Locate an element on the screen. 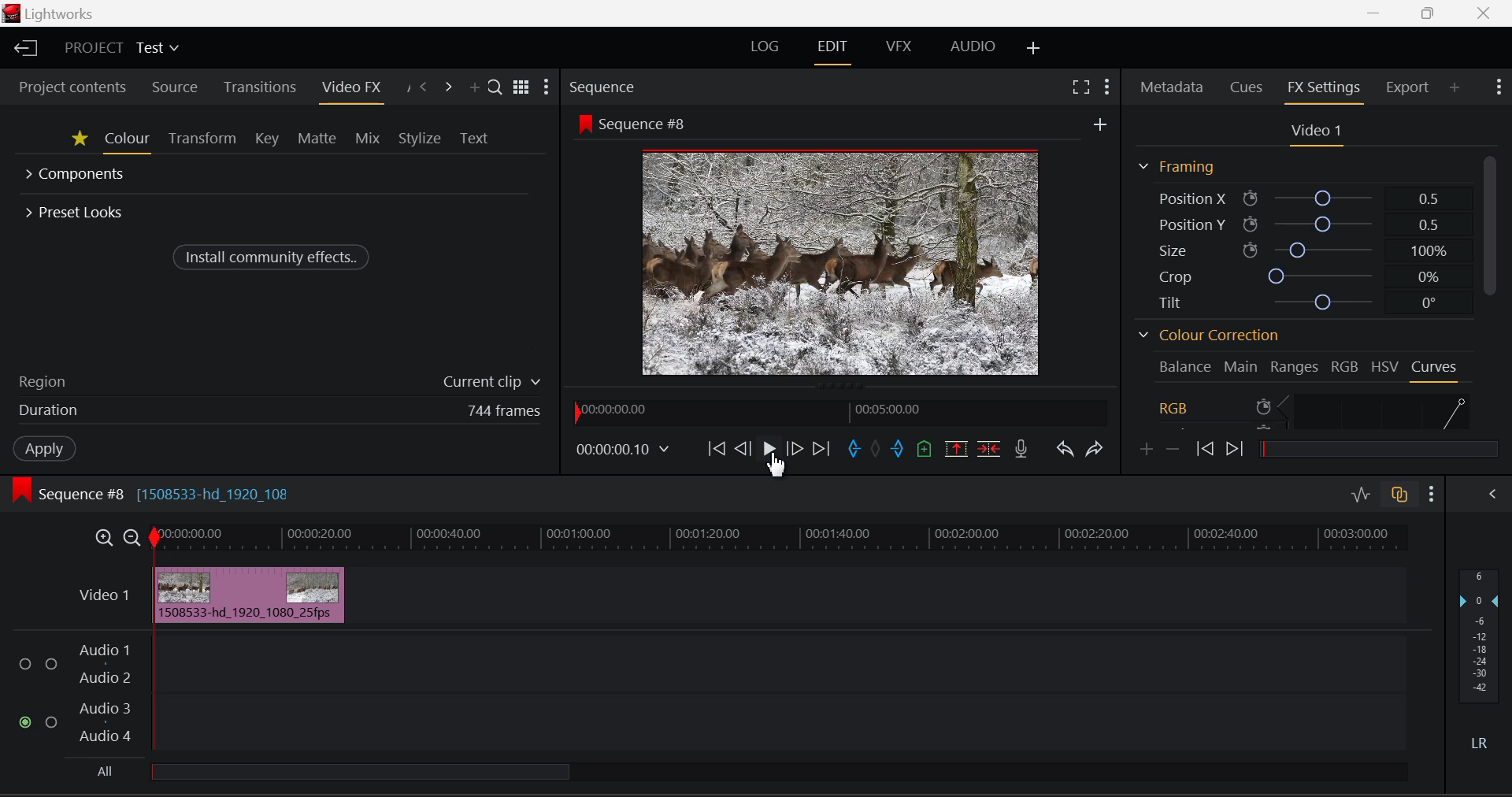 The image size is (1512, 797). Toggle between list and title view is located at coordinates (521, 87).